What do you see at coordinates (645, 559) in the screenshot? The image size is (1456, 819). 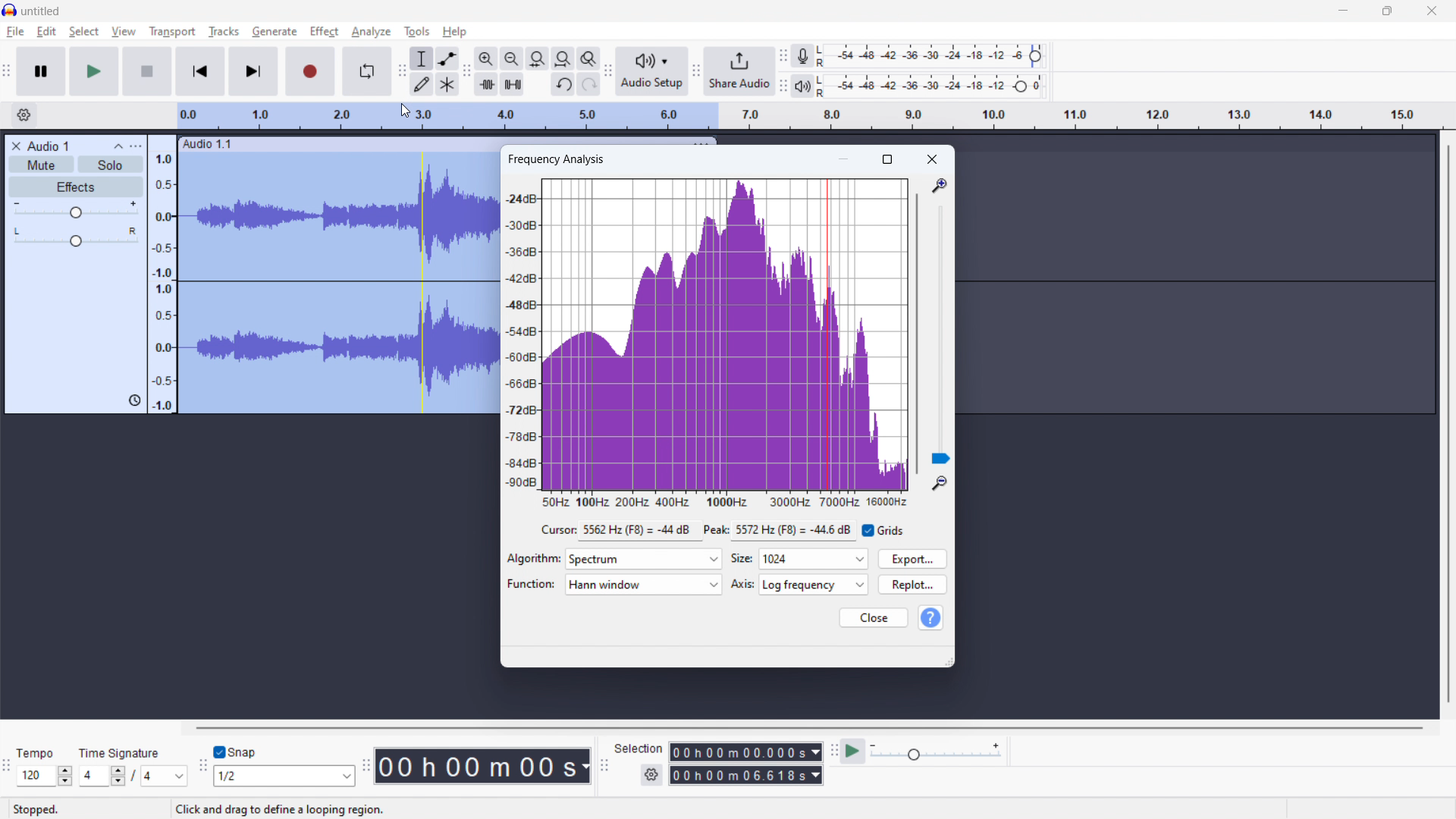 I see `set algorithm` at bounding box center [645, 559].